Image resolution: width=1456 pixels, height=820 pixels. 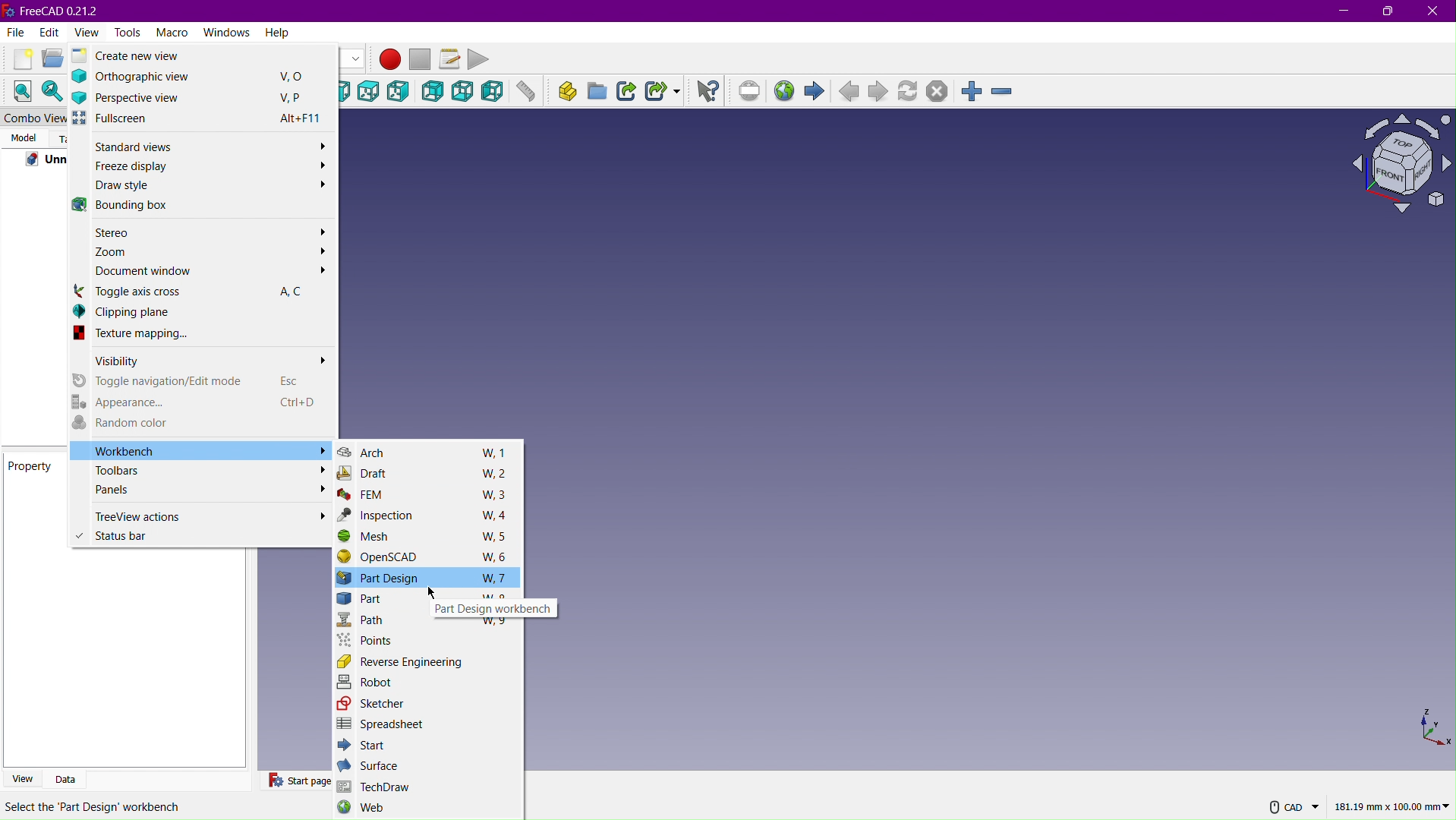 I want to click on Start page, so click(x=815, y=92).